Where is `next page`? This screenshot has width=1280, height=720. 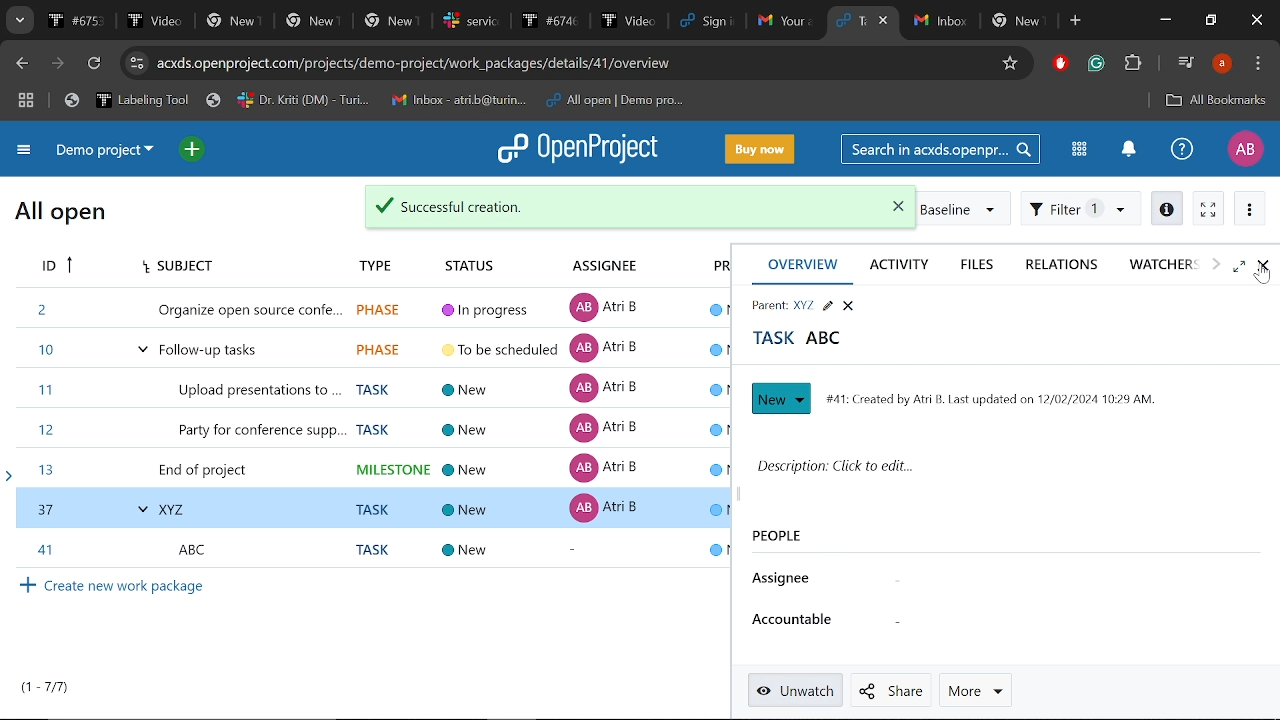
next page is located at coordinates (57, 64).